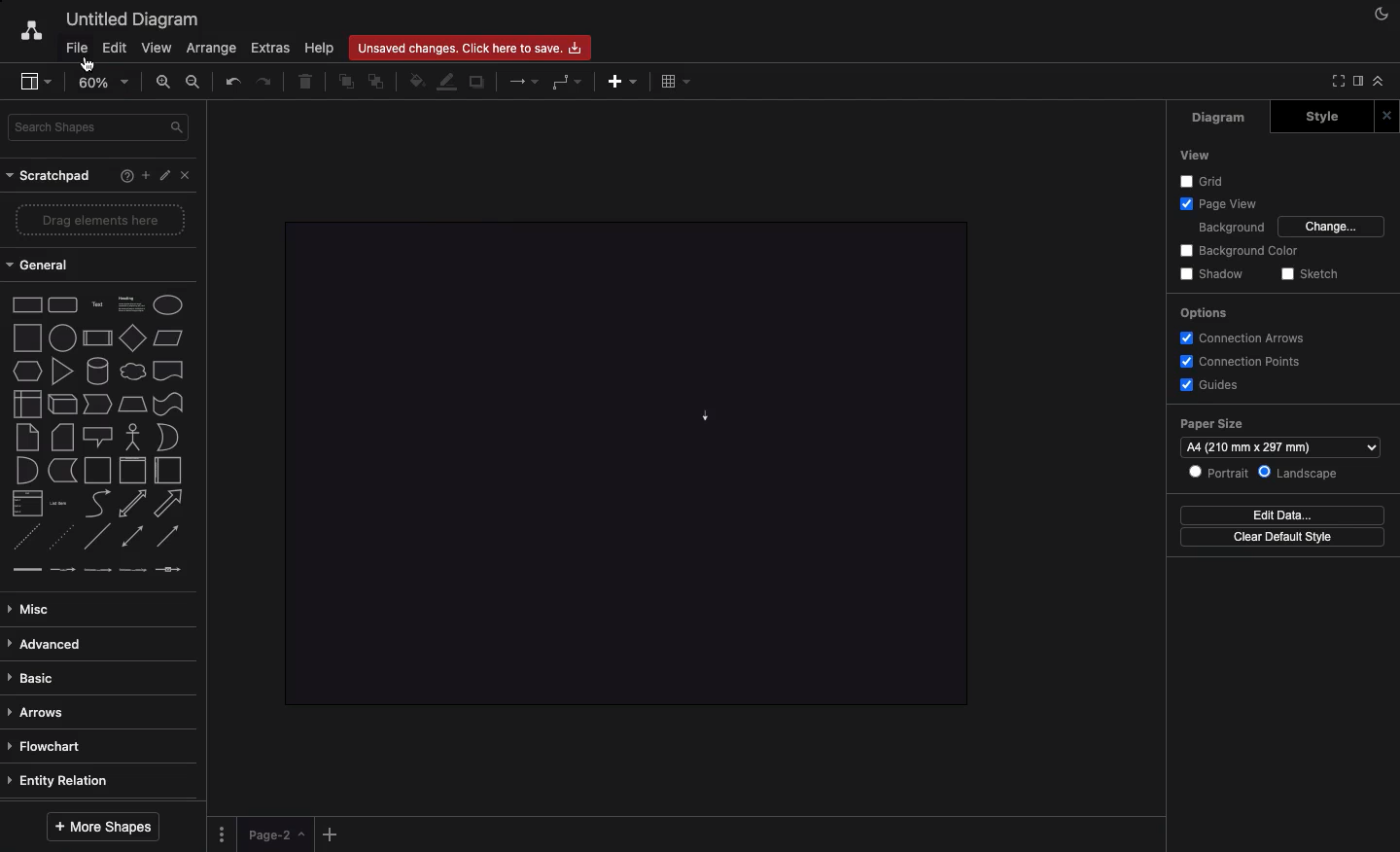 The height and width of the screenshot is (852, 1400). I want to click on Arrows, so click(525, 80).